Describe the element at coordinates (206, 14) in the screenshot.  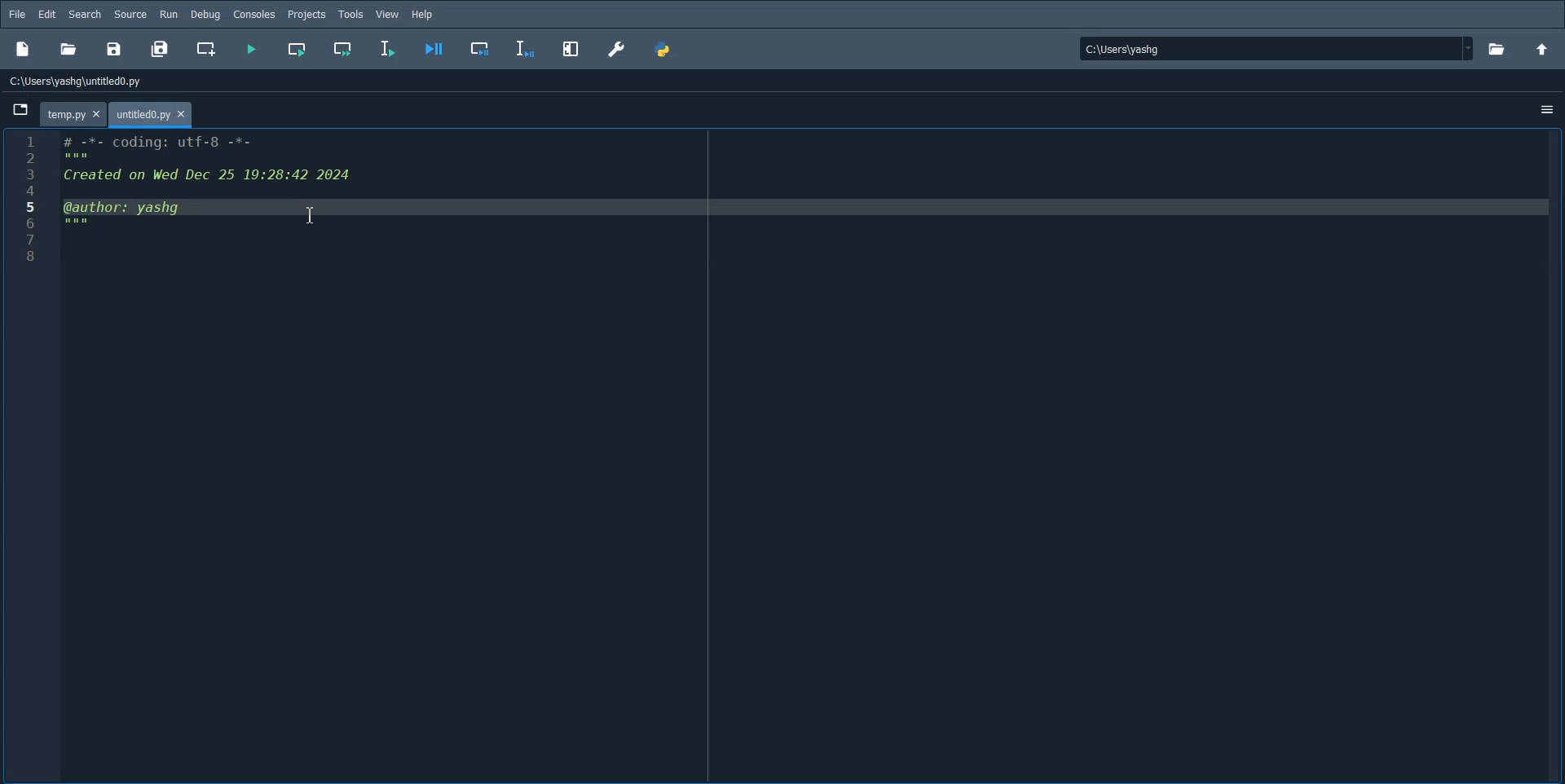
I see `Debug` at that location.